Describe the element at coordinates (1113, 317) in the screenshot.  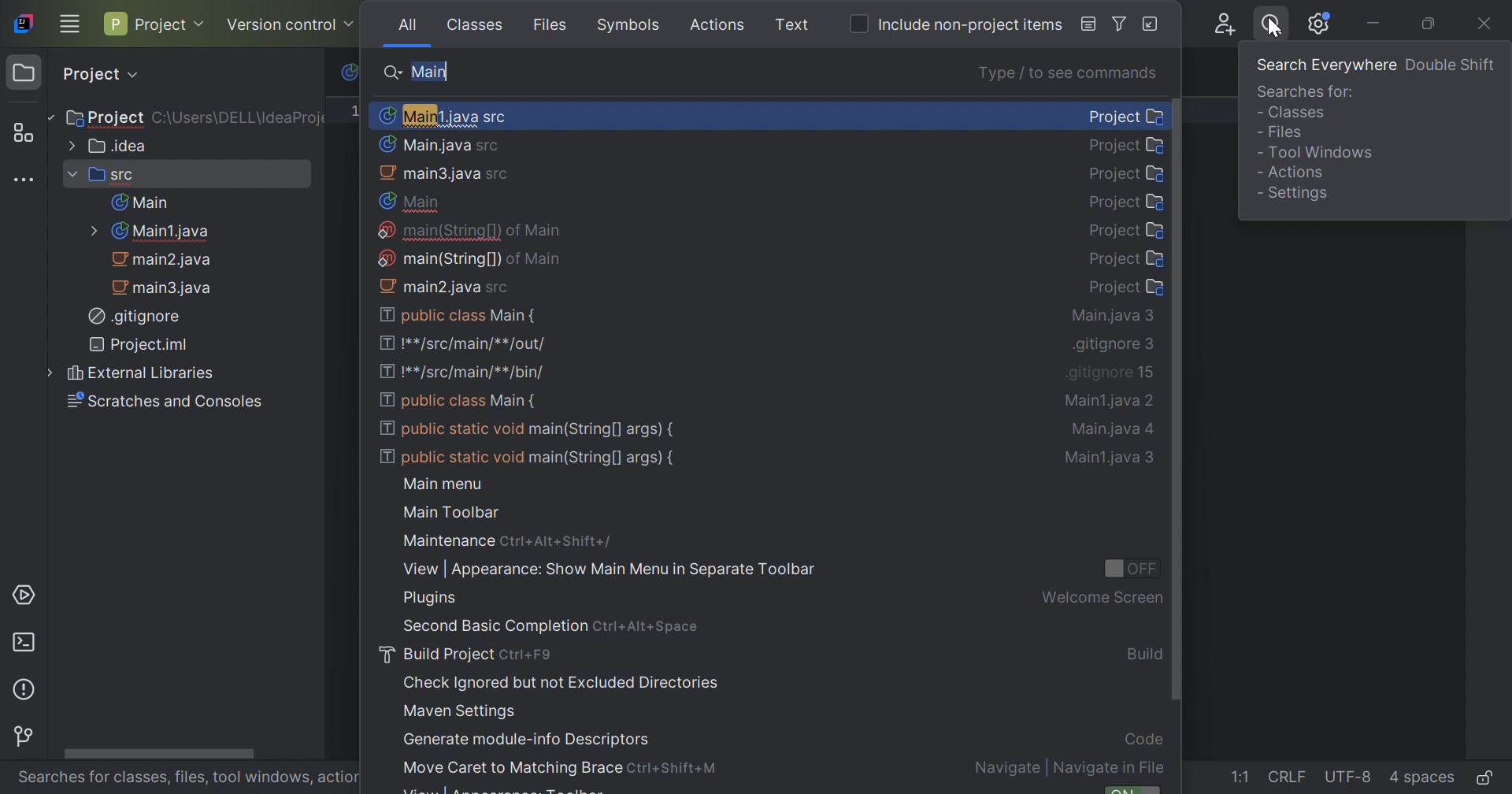
I see `Main.java3` at that location.